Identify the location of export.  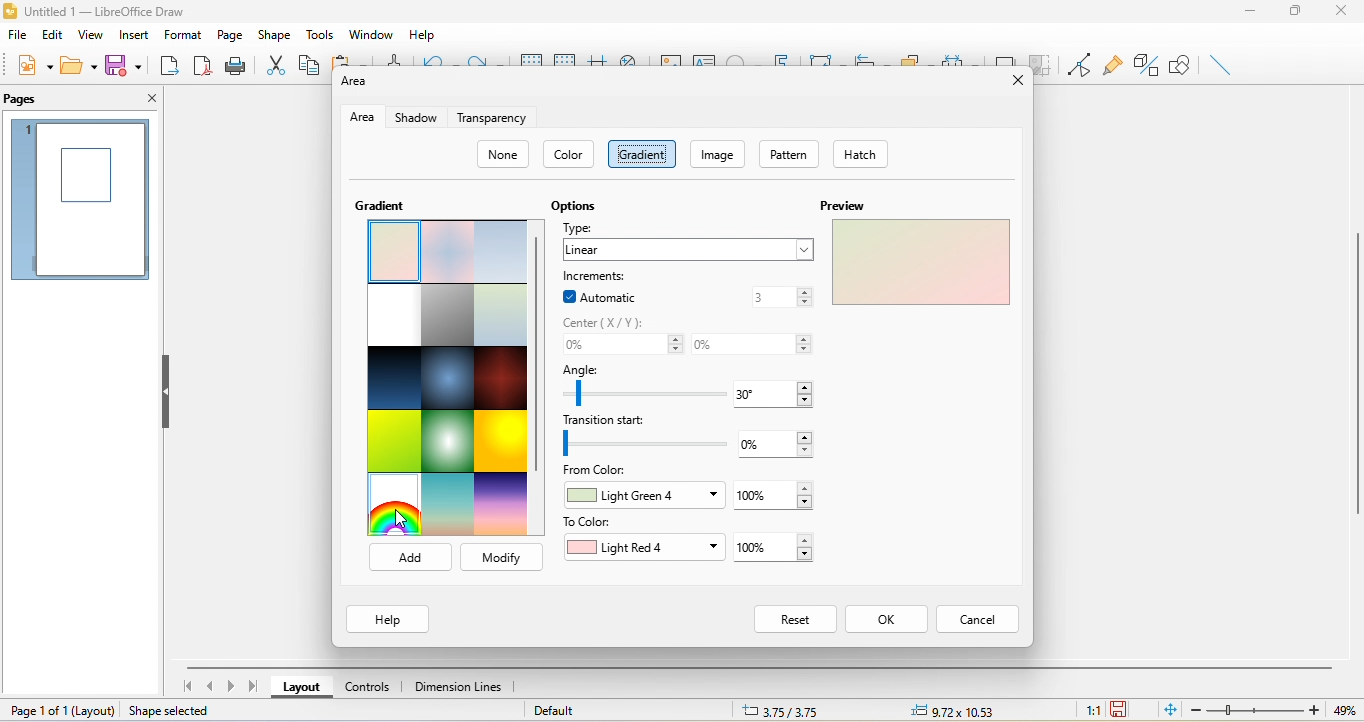
(169, 68).